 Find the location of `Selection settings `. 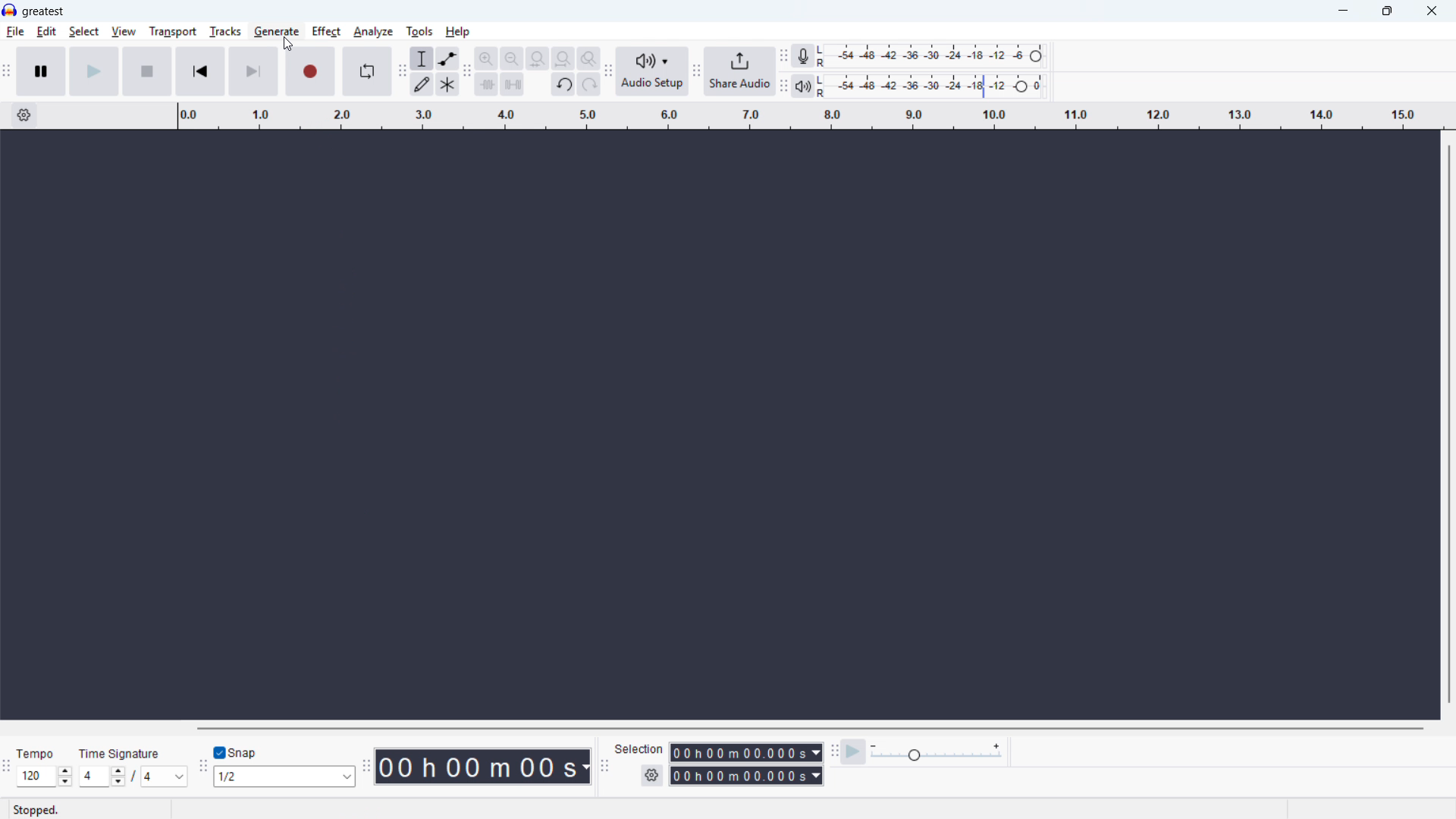

Selection settings  is located at coordinates (651, 775).